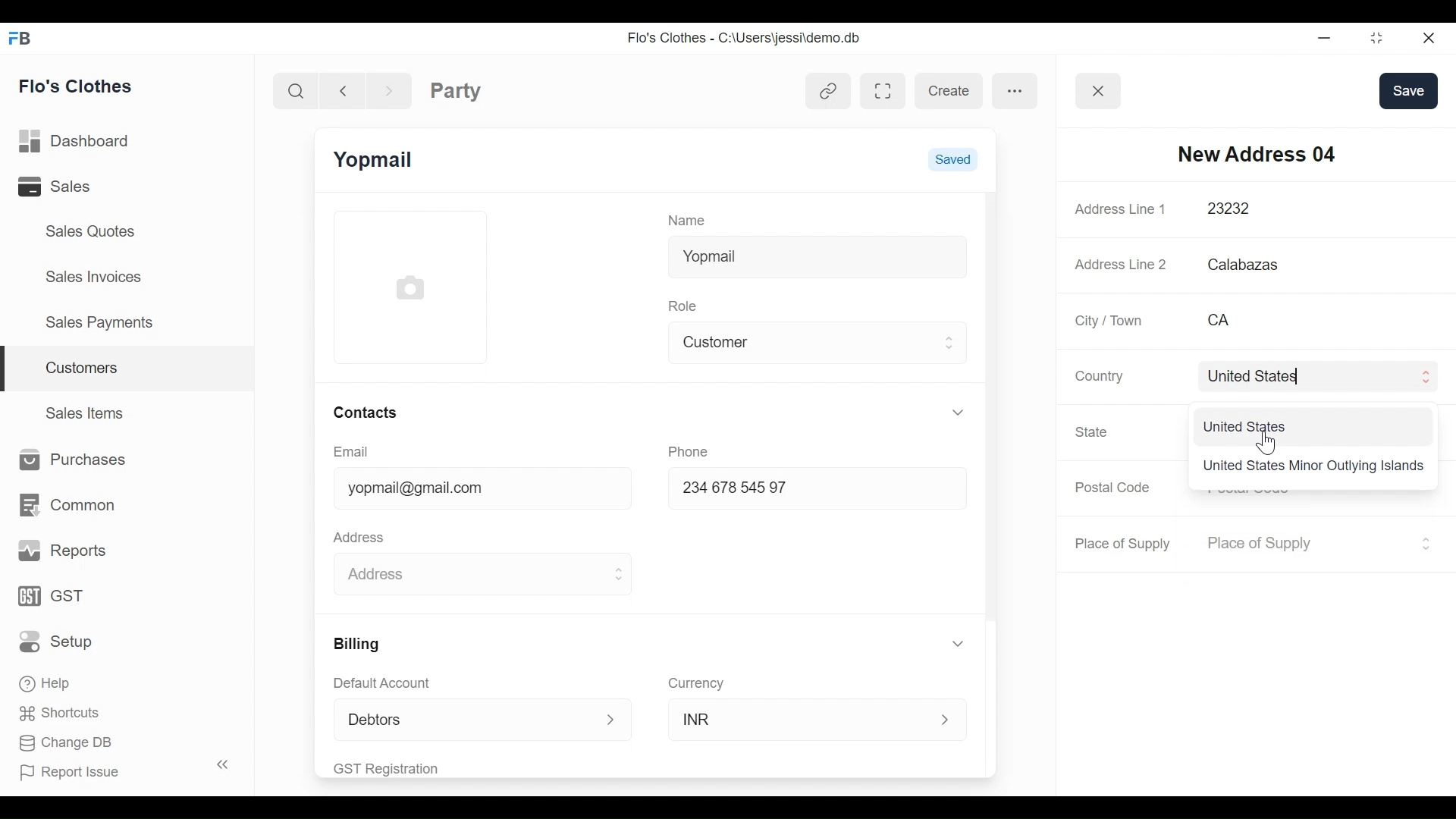 This screenshot has width=1456, height=819. Describe the element at coordinates (79, 142) in the screenshot. I see `Dashboard` at that location.